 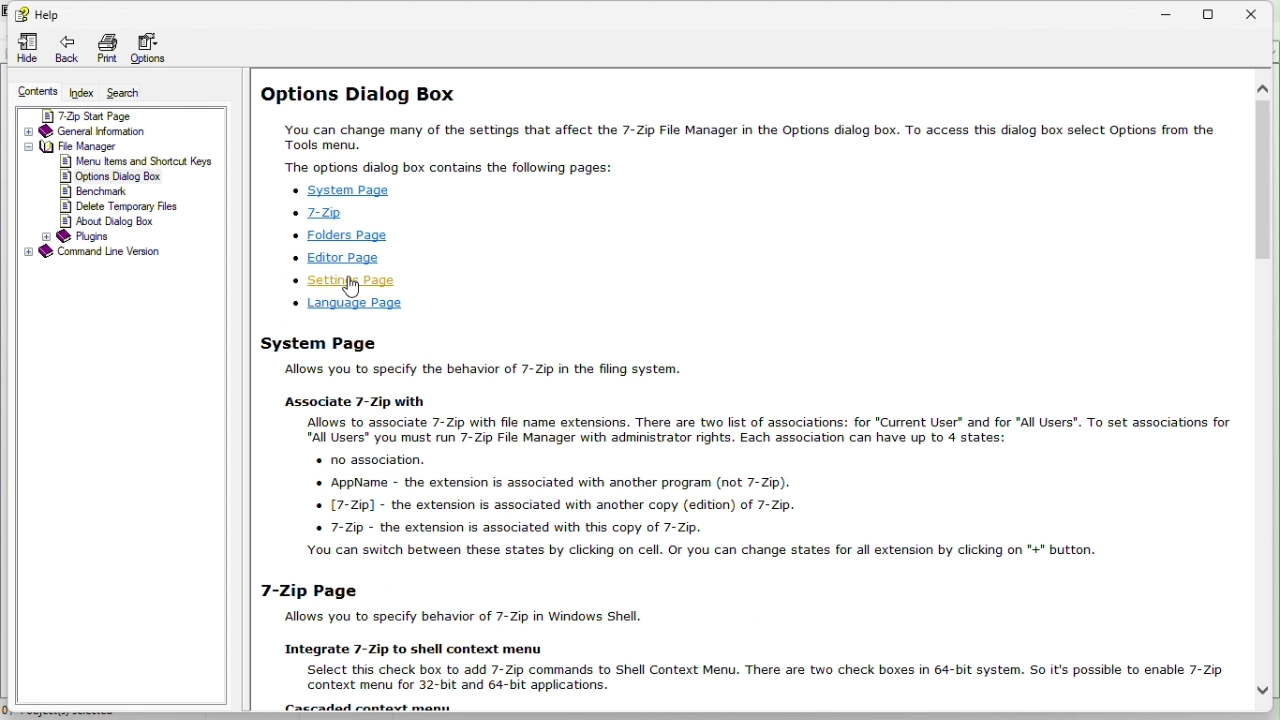 What do you see at coordinates (113, 221) in the screenshot?
I see `about  dialog box` at bounding box center [113, 221].